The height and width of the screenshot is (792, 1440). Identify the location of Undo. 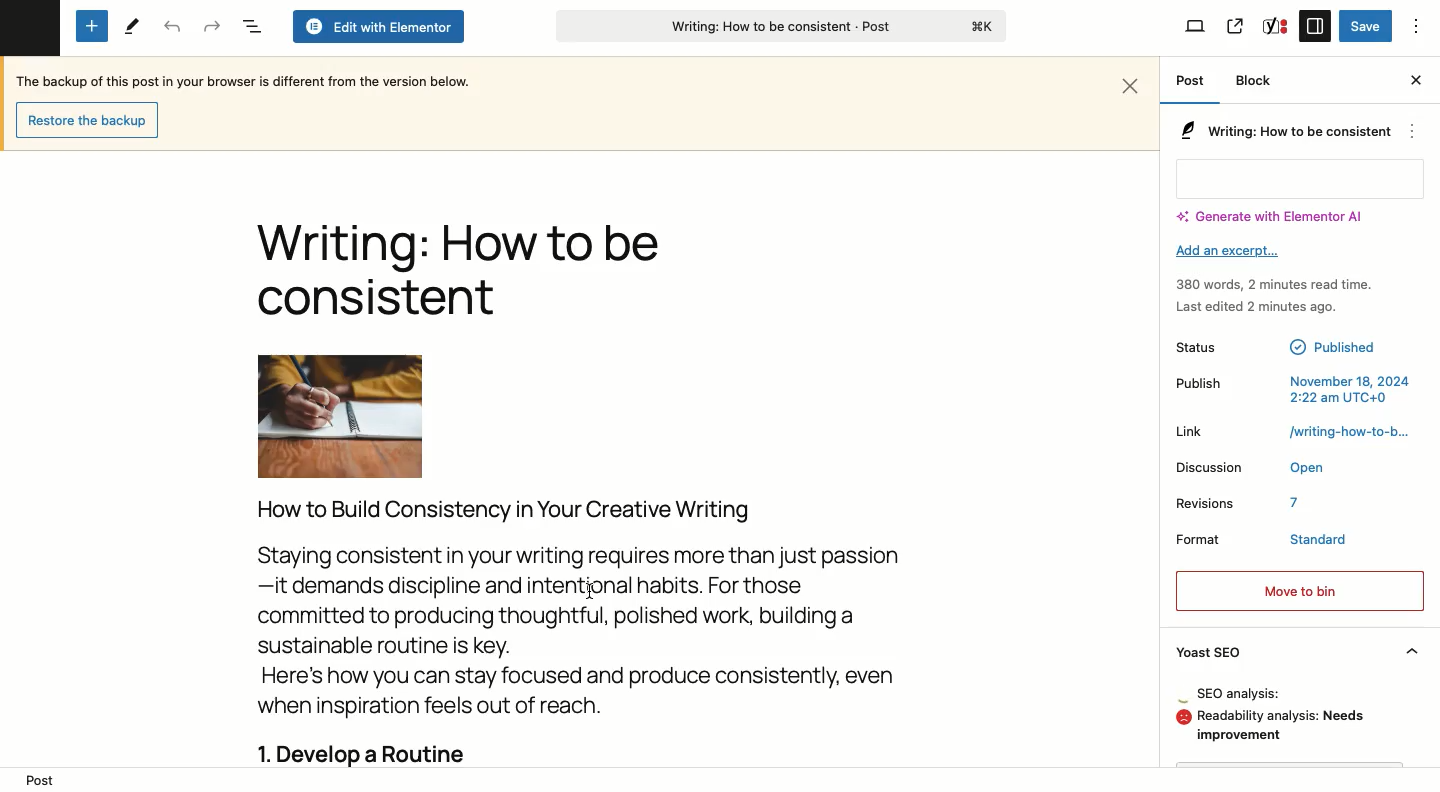
(172, 27).